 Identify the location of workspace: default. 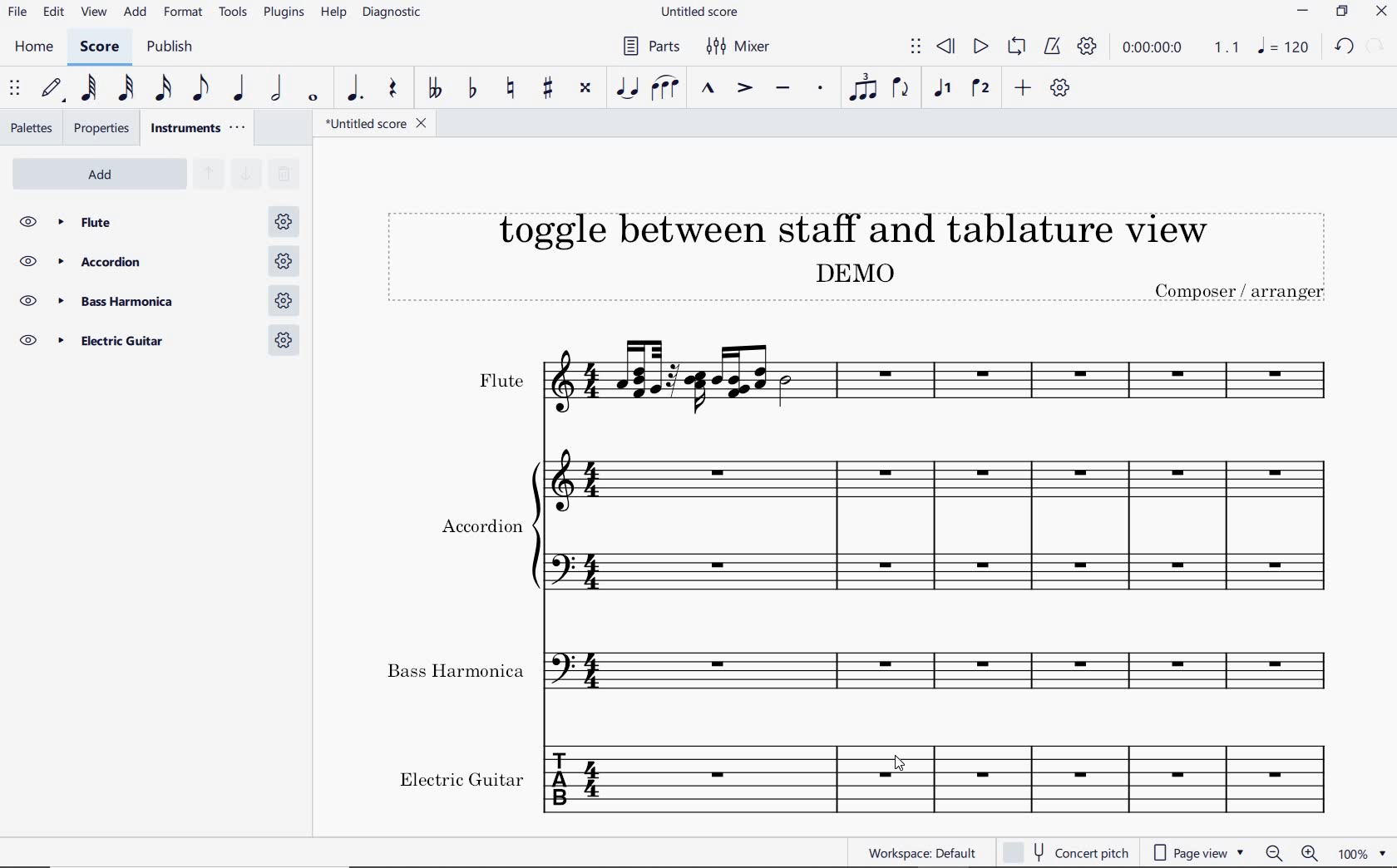
(923, 852).